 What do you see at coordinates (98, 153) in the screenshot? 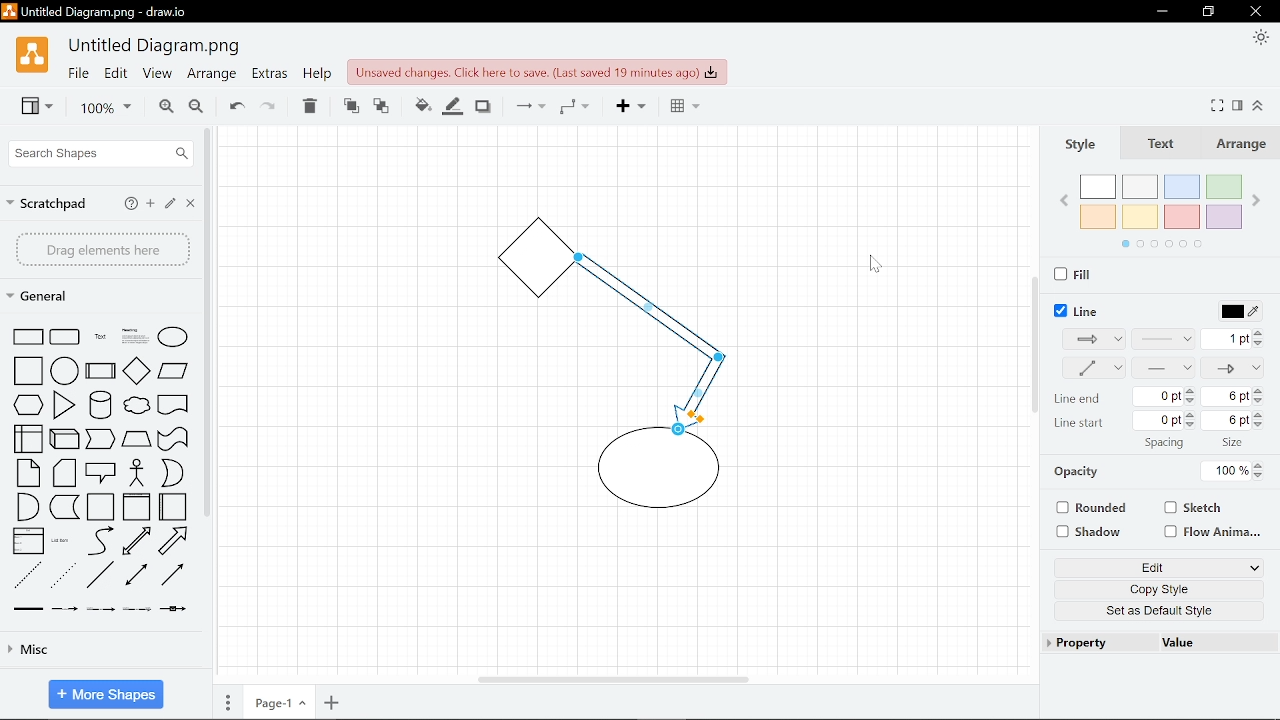
I see `Search shapes` at bounding box center [98, 153].